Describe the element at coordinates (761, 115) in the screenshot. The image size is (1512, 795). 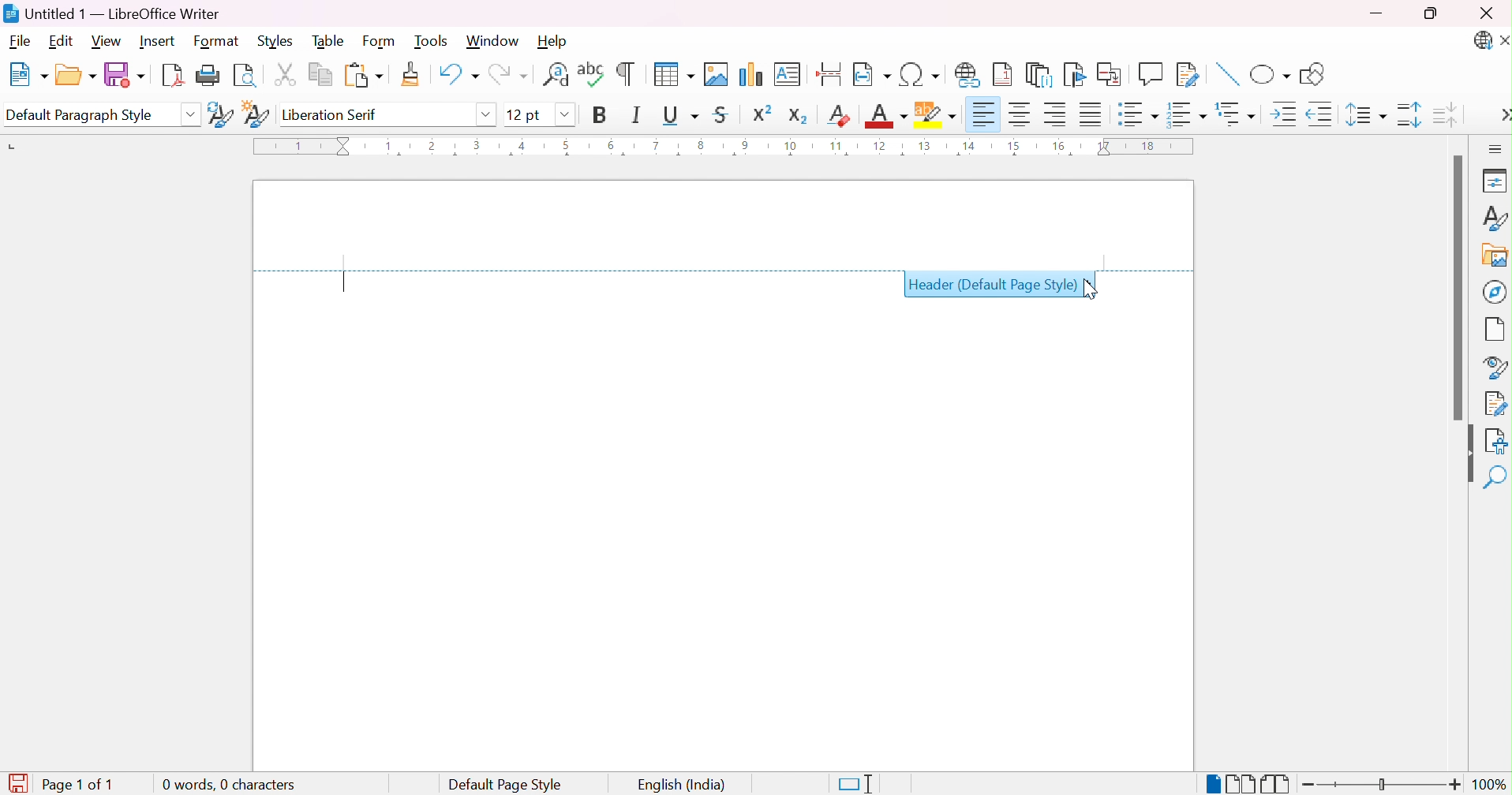
I see `Superscript` at that location.